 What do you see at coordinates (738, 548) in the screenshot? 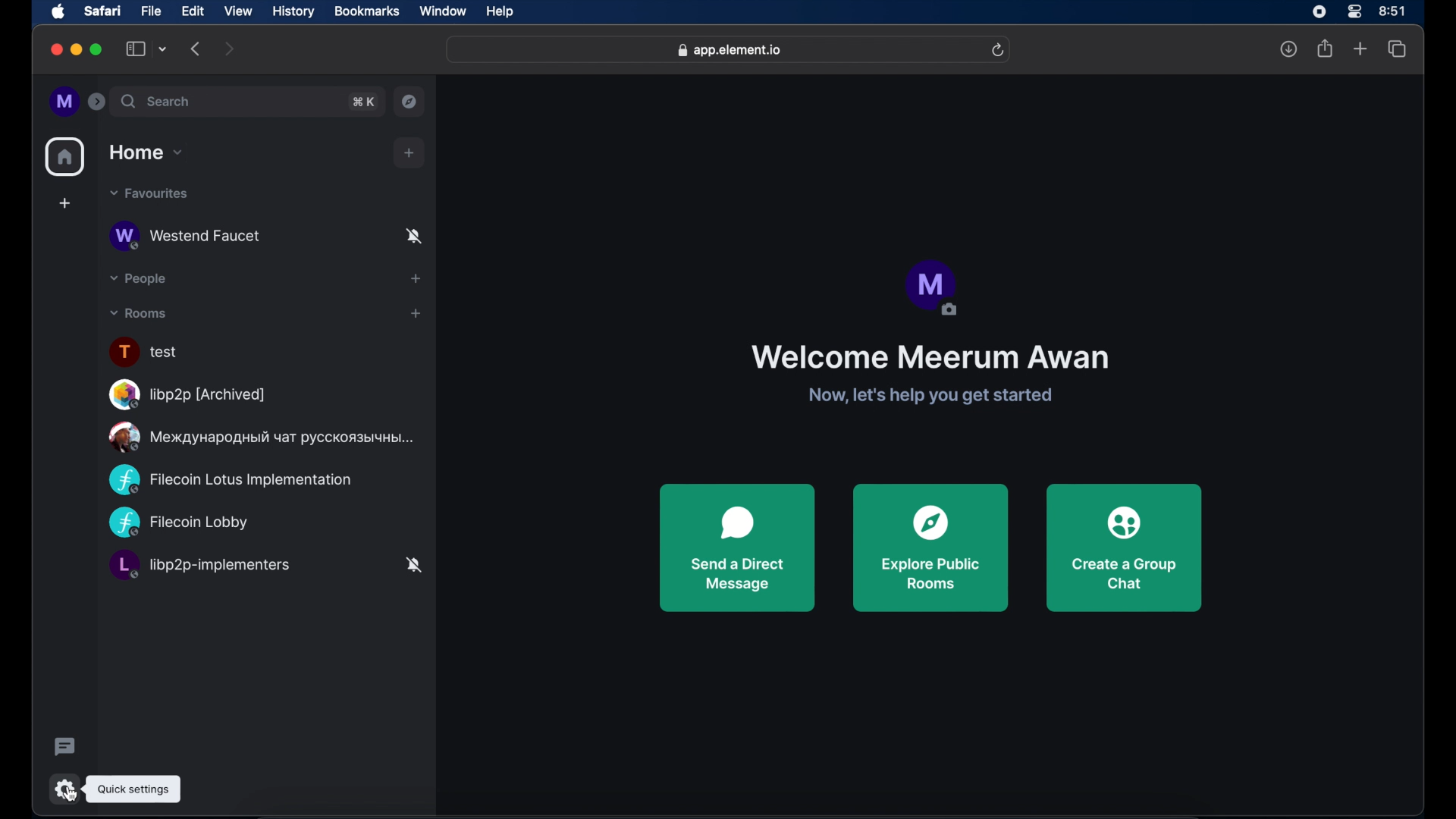
I see `send a direct message` at bounding box center [738, 548].